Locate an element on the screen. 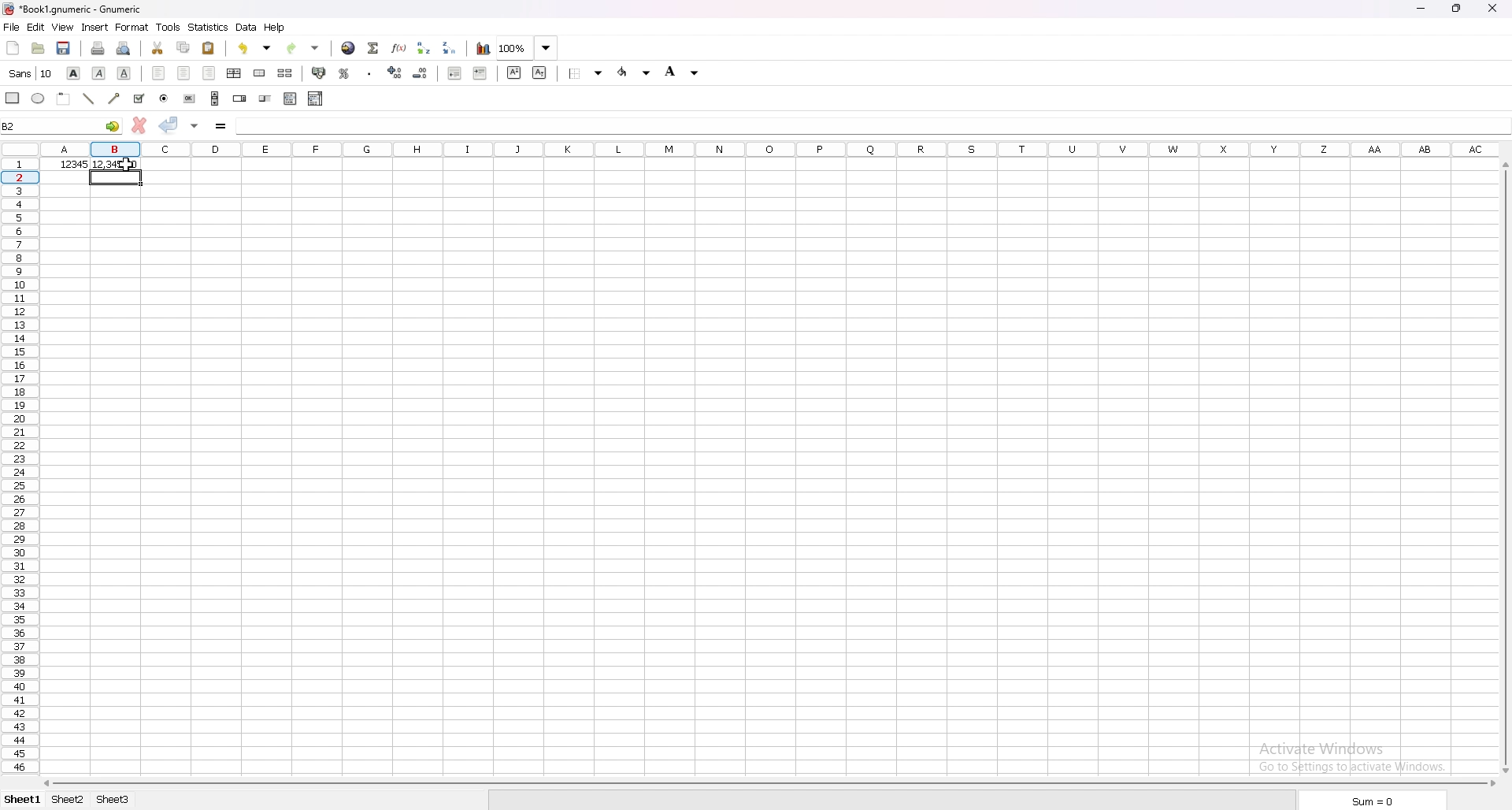  line is located at coordinates (88, 98).